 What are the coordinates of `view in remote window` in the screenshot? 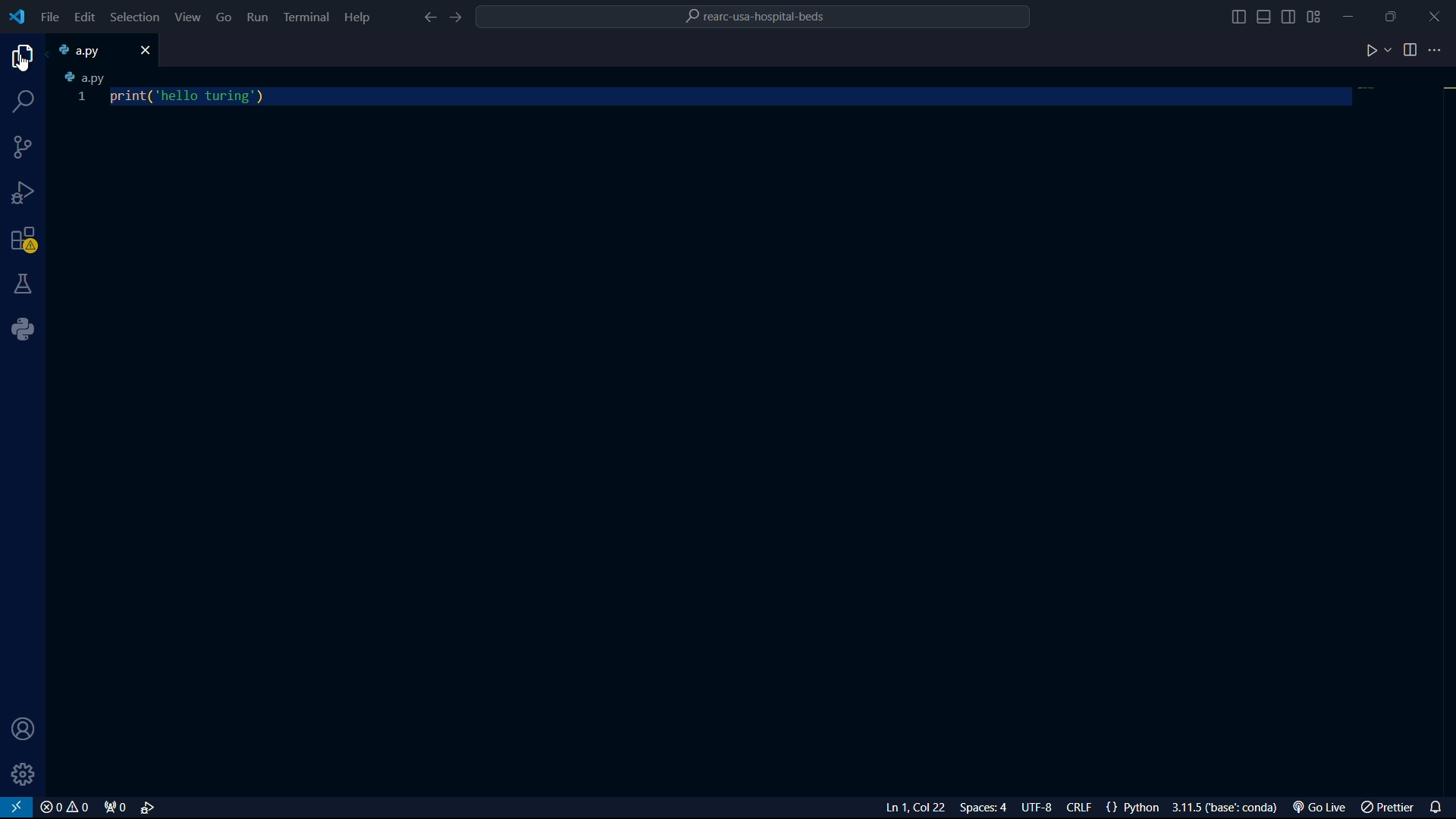 It's located at (18, 808).